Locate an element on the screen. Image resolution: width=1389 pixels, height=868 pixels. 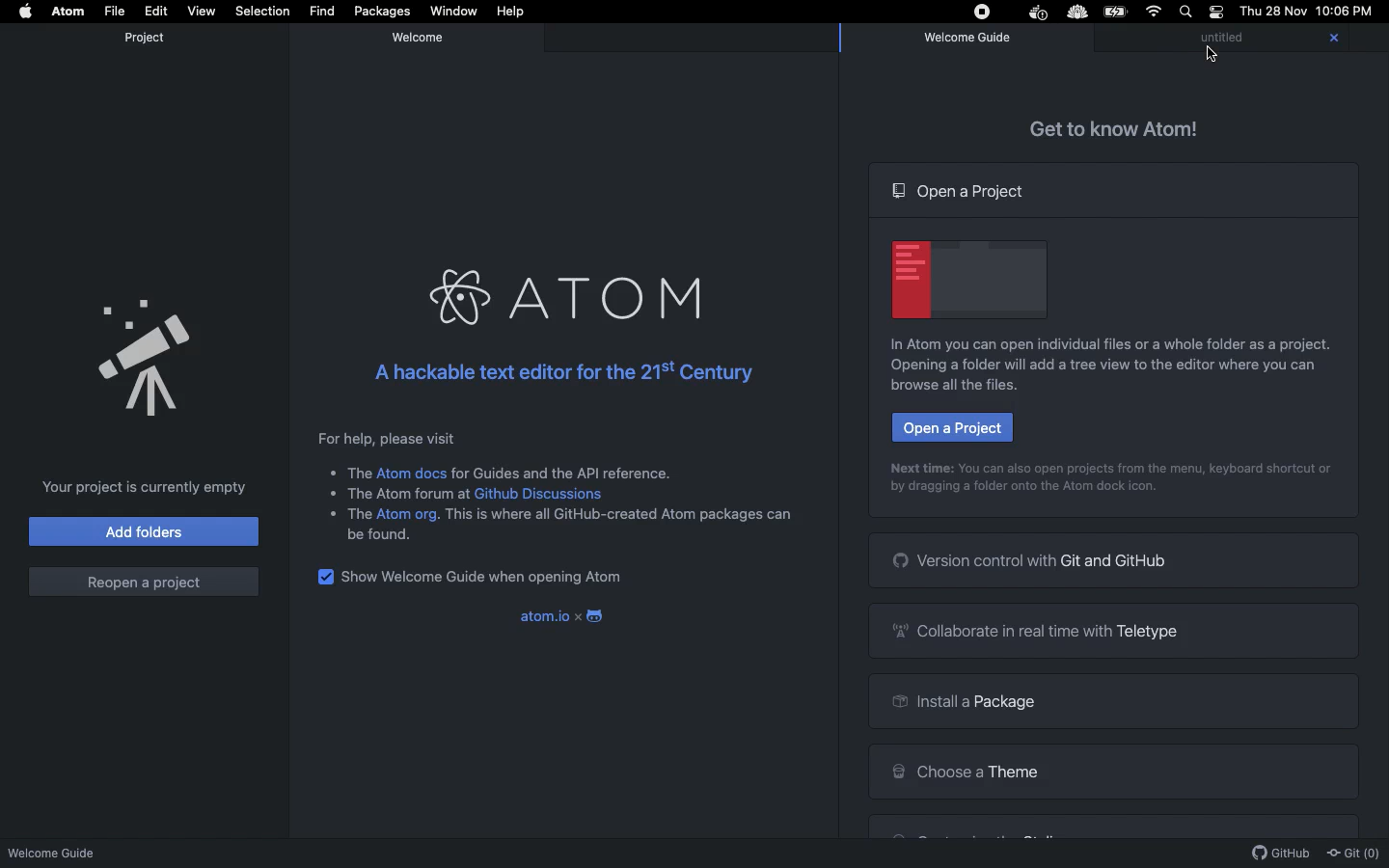
Install a package is located at coordinates (1115, 701).